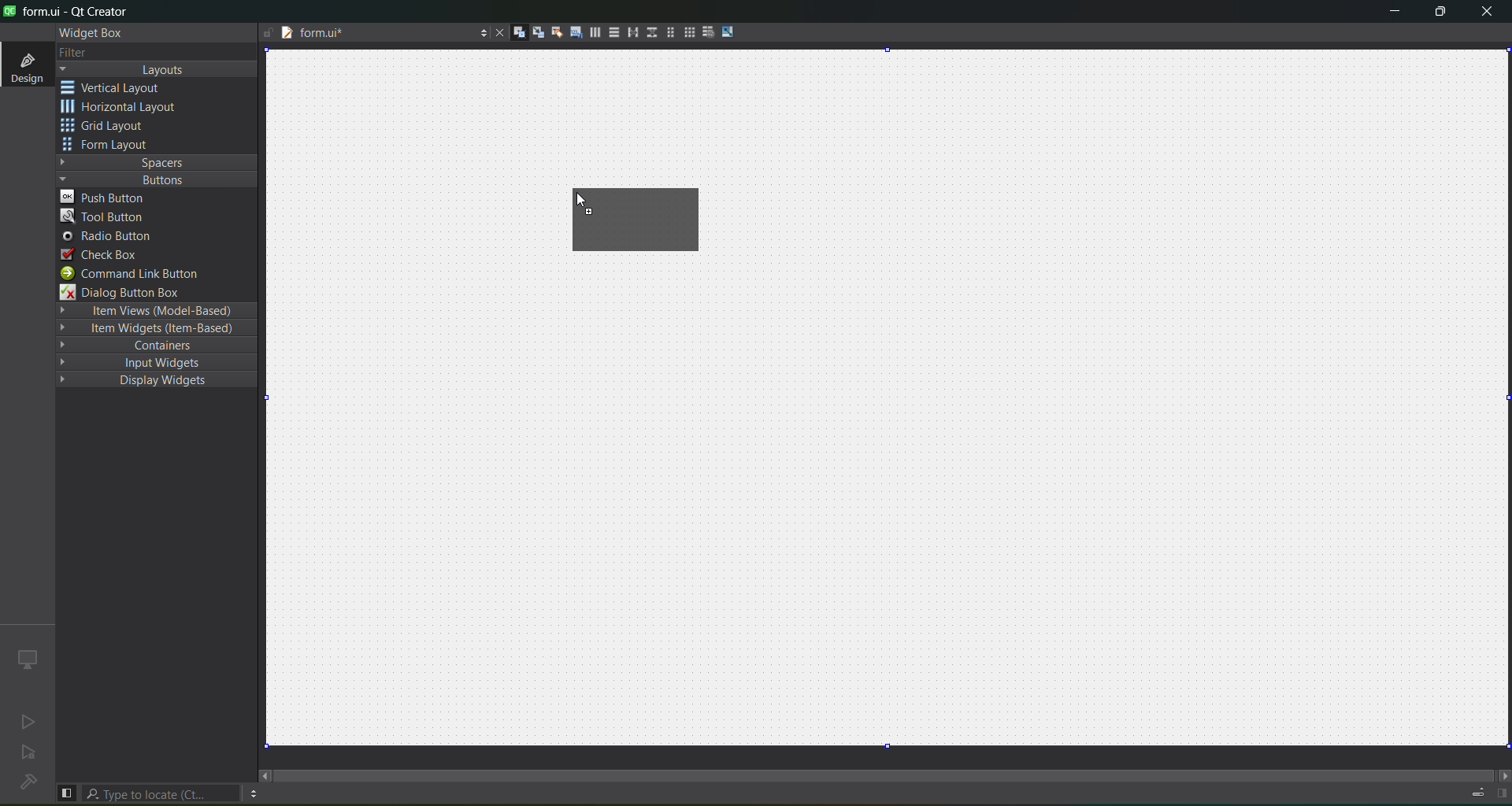  Describe the element at coordinates (154, 179) in the screenshot. I see `button` at that location.